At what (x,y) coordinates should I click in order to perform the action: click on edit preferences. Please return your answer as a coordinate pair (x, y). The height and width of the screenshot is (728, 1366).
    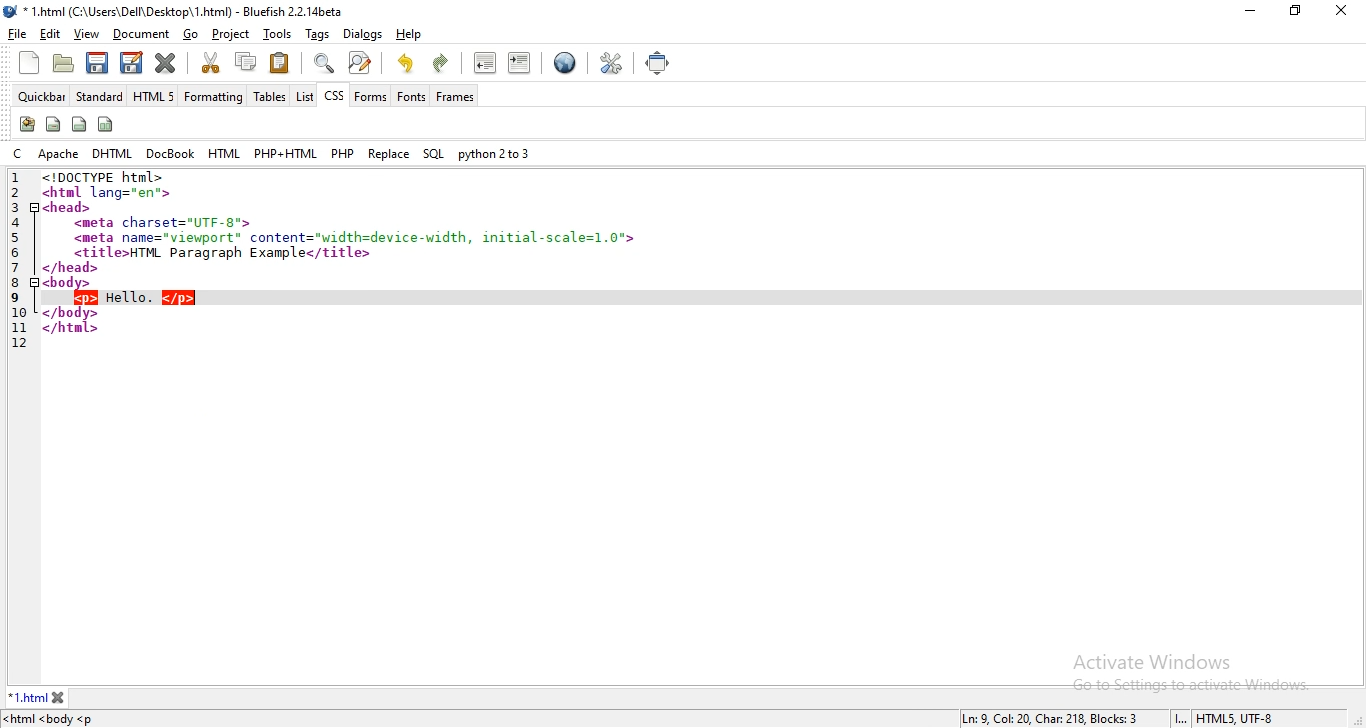
    Looking at the image, I should click on (608, 63).